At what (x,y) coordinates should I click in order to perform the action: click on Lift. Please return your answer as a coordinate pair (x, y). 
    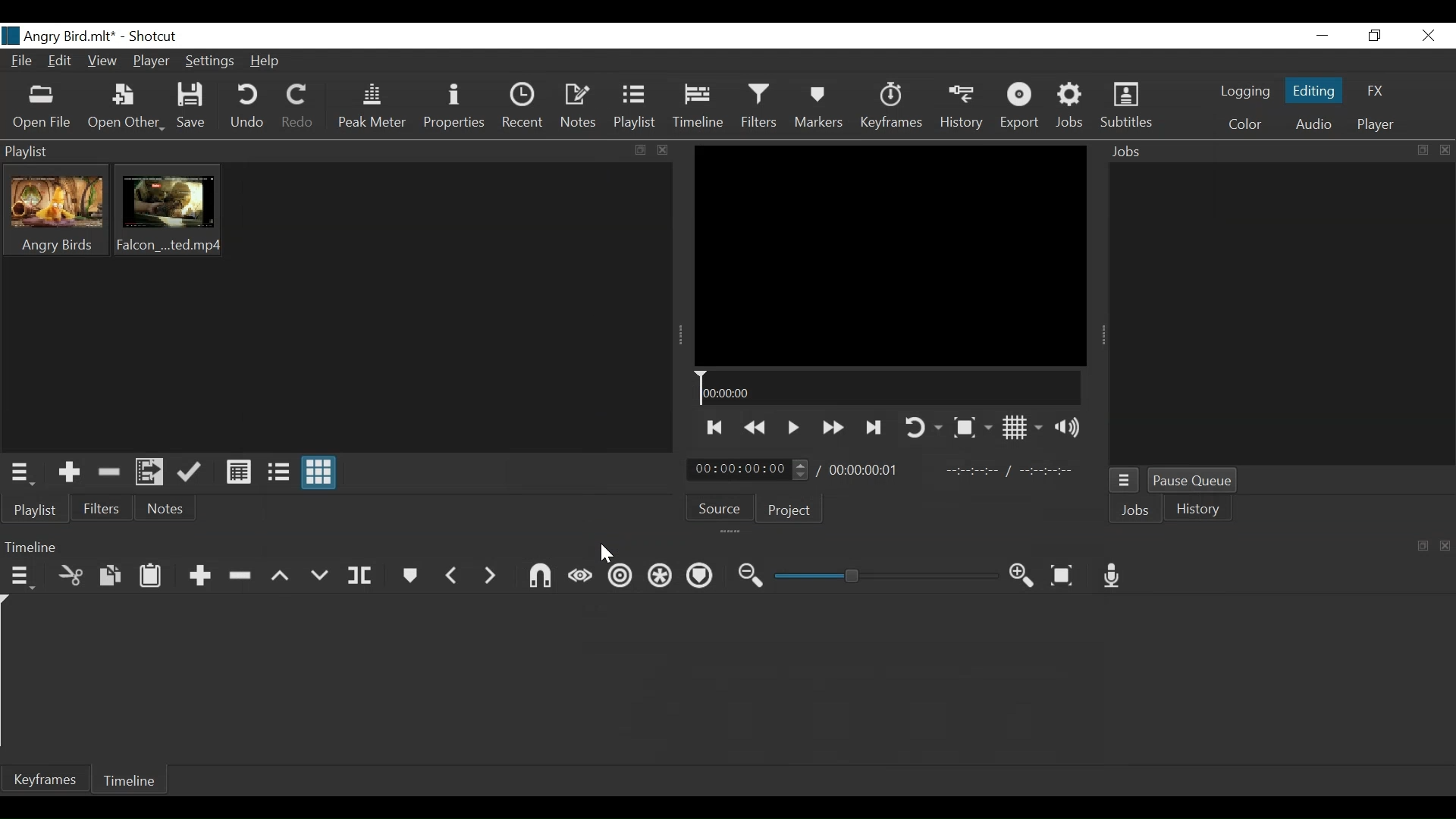
    Looking at the image, I should click on (281, 578).